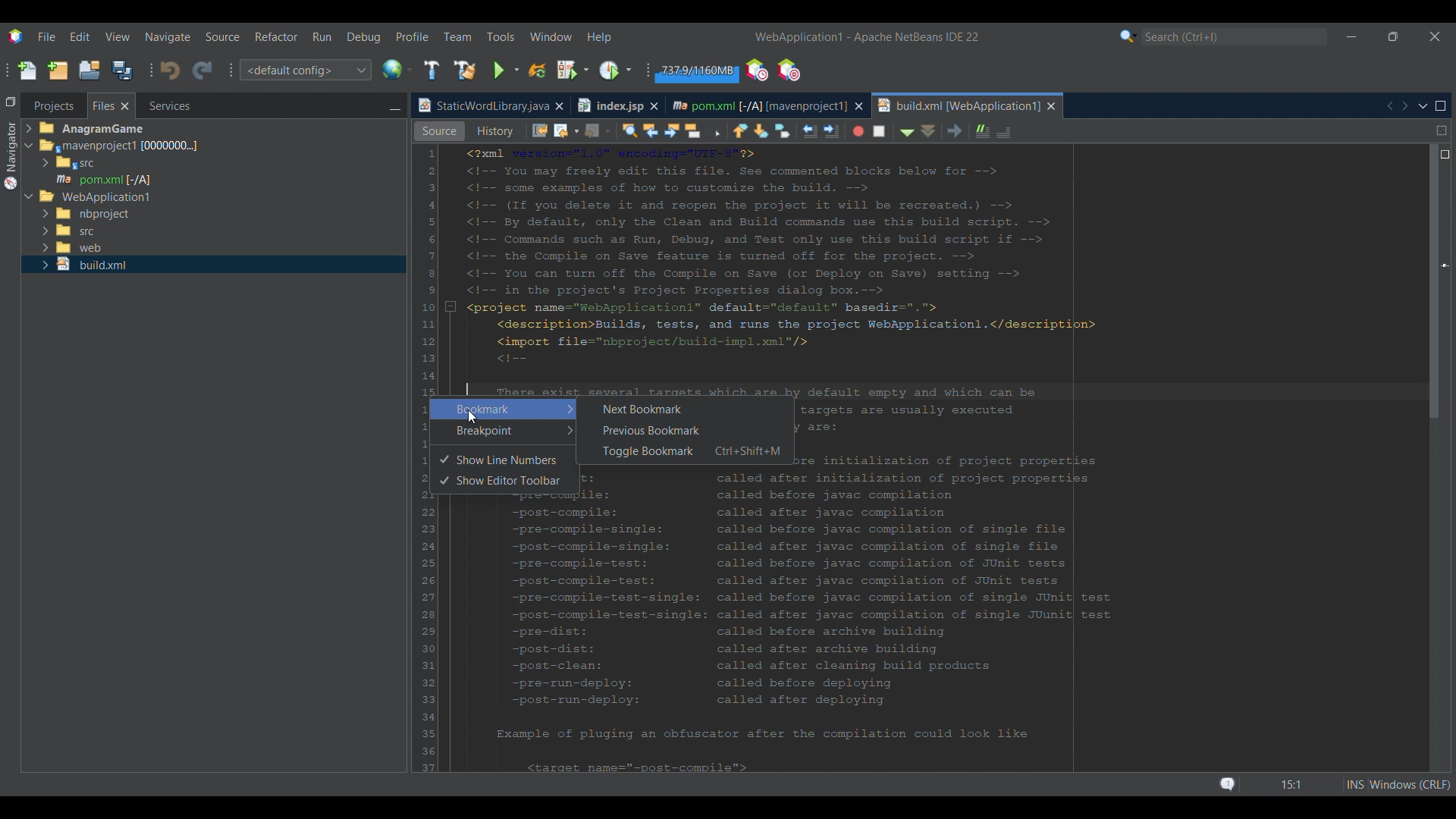  Describe the element at coordinates (413, 36) in the screenshot. I see `Profile menu` at that location.